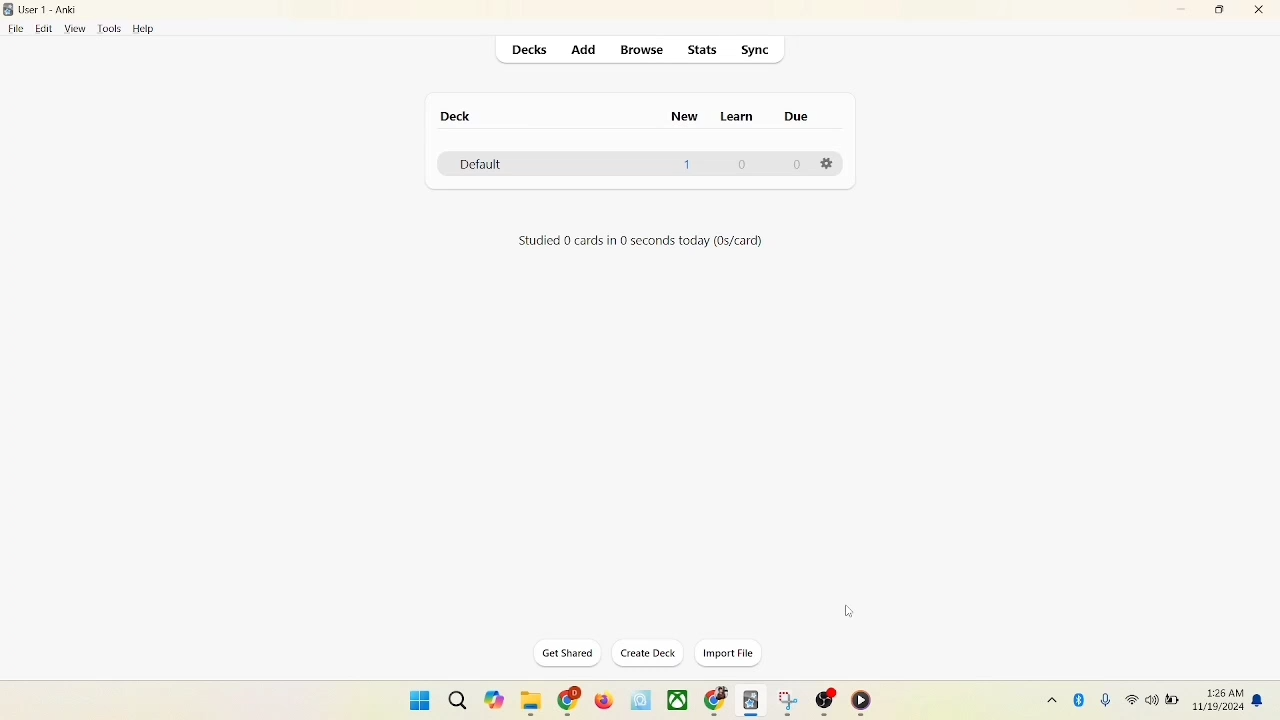  Describe the element at coordinates (1151, 699) in the screenshot. I see `speaker` at that location.